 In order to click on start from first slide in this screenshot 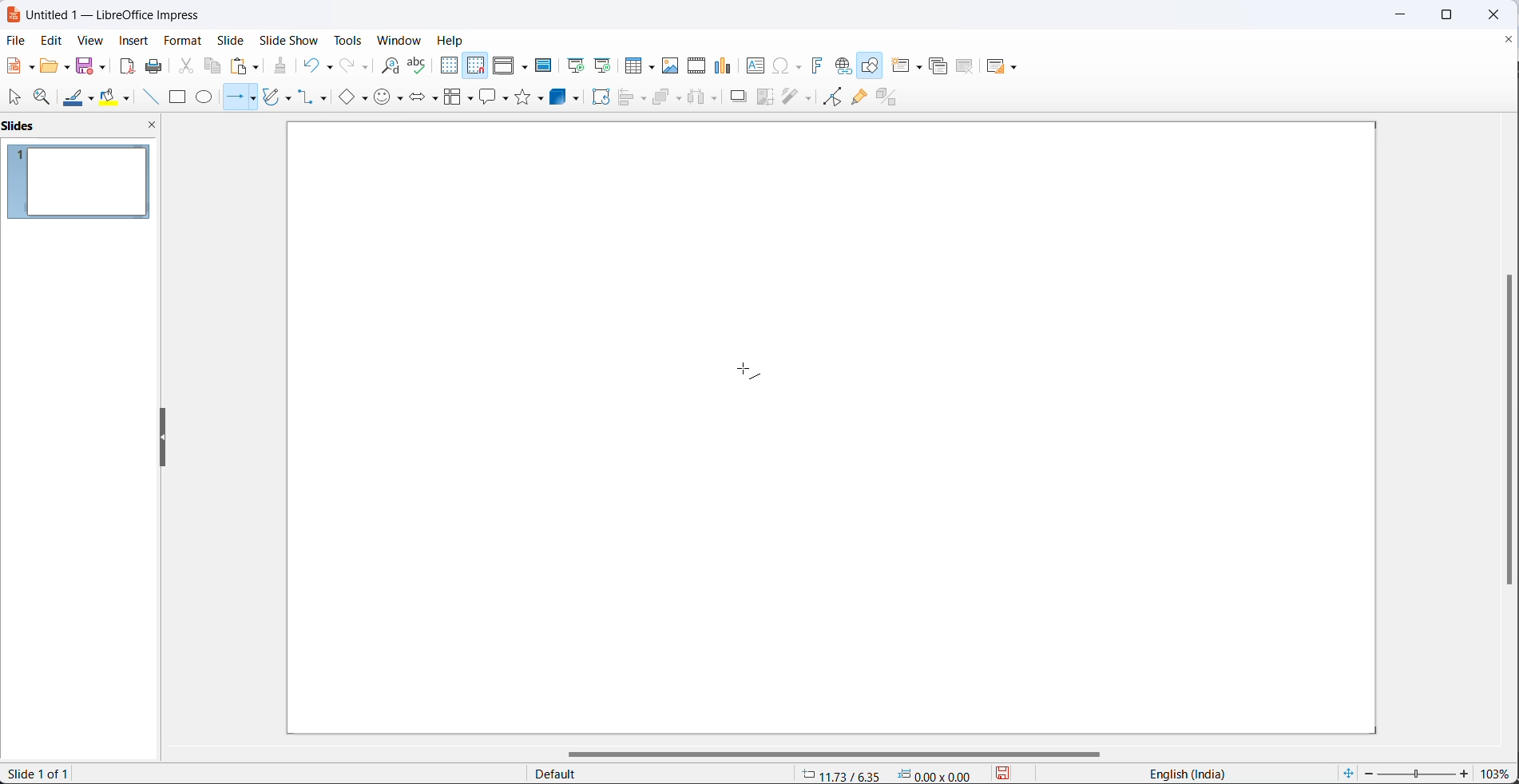, I will do `click(572, 65)`.